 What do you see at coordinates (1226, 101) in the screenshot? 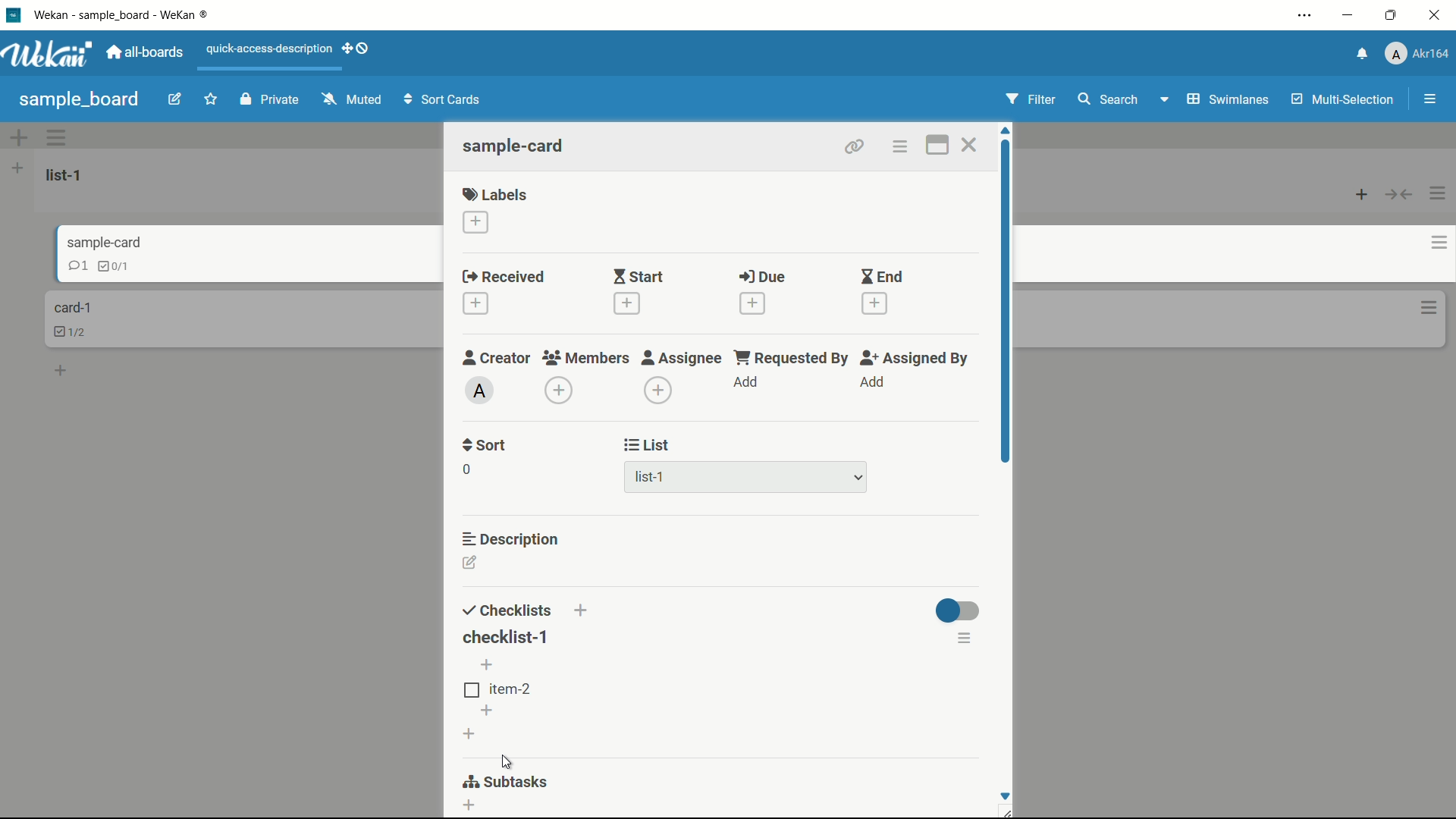
I see `swimlanes` at bounding box center [1226, 101].